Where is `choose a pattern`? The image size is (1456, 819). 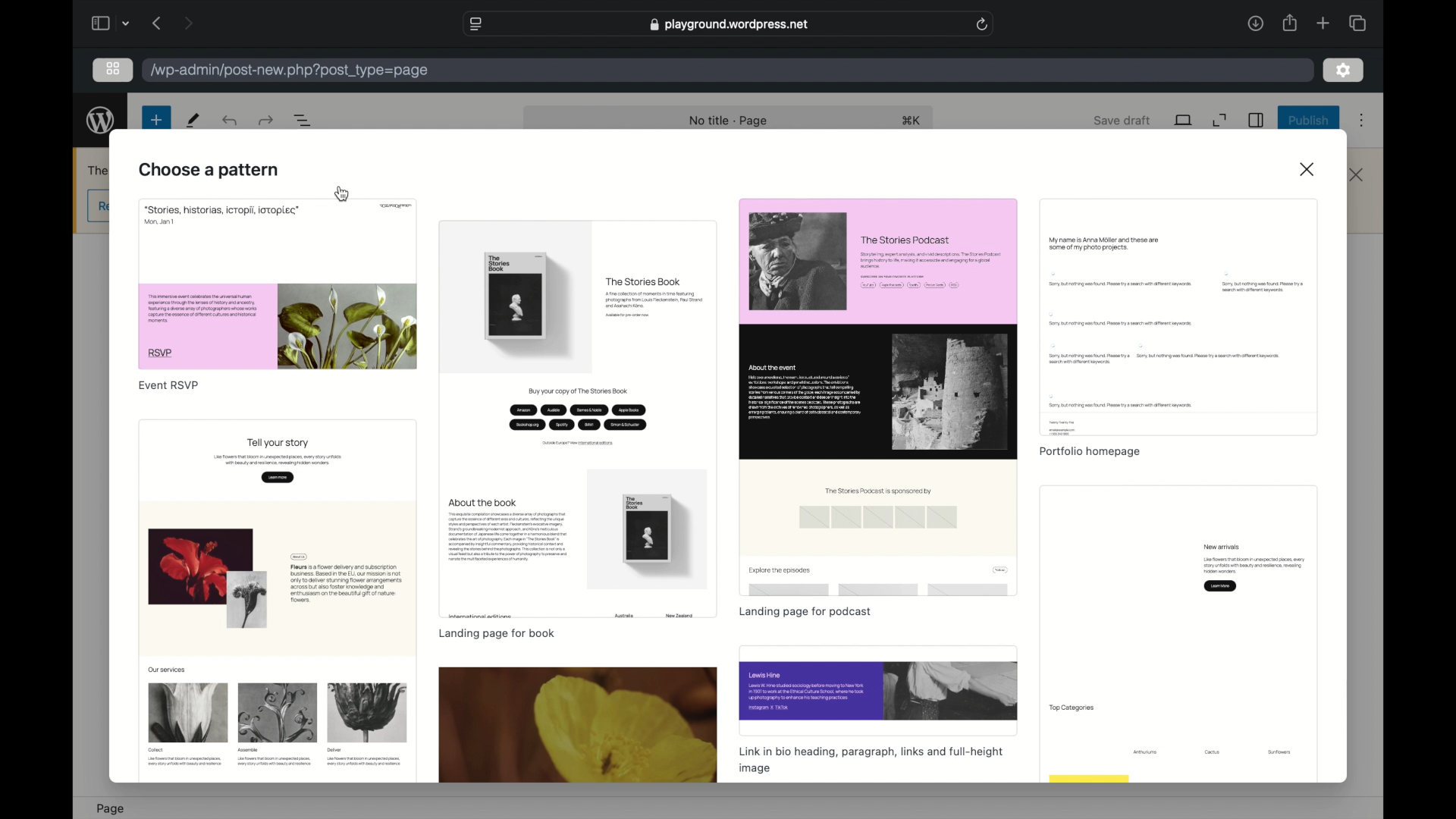 choose a pattern is located at coordinates (210, 171).